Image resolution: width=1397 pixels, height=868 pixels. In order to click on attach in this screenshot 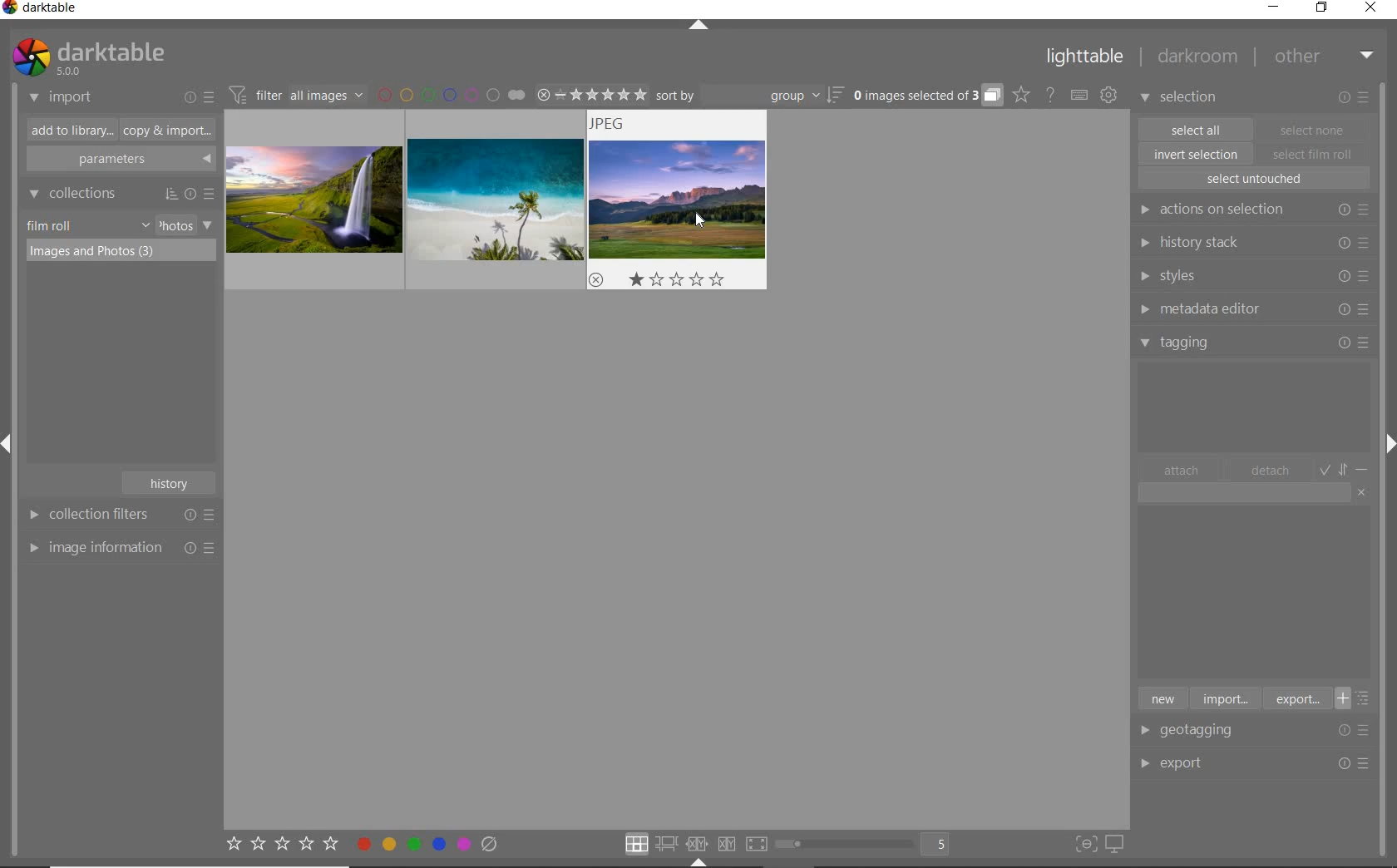, I will do `click(1182, 470)`.